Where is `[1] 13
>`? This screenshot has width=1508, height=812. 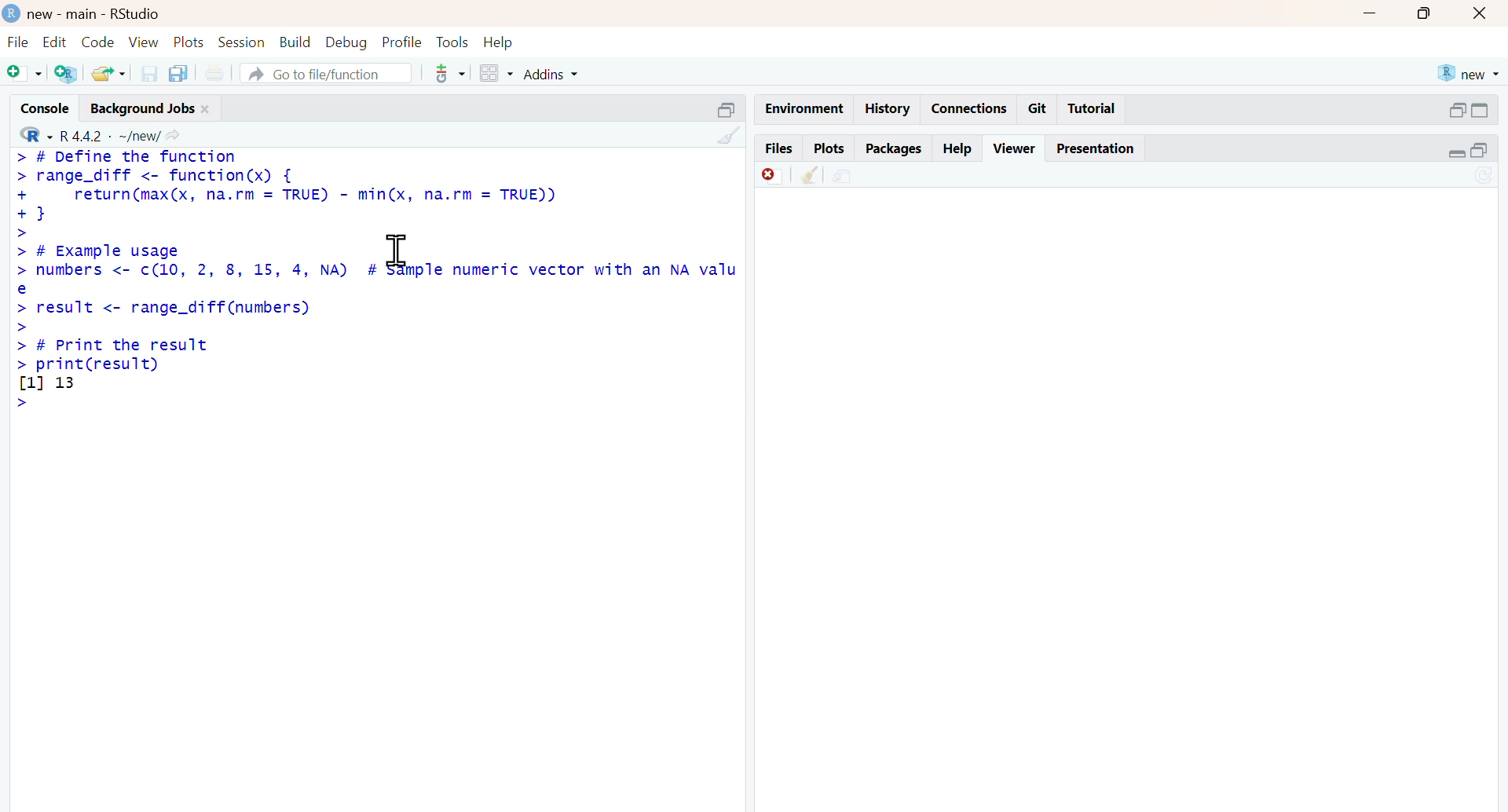
[1] 13
> is located at coordinates (49, 393).